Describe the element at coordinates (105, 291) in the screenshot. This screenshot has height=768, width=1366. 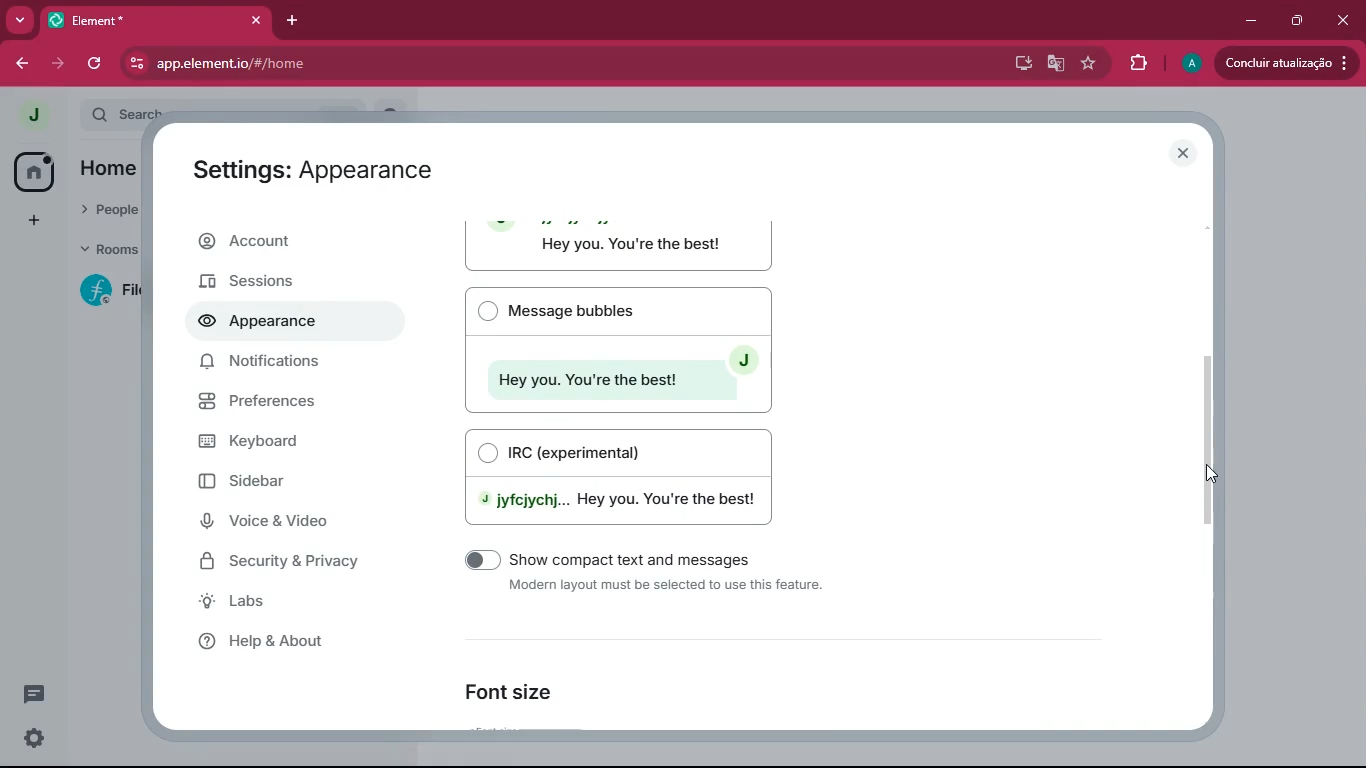
I see `room` at that location.